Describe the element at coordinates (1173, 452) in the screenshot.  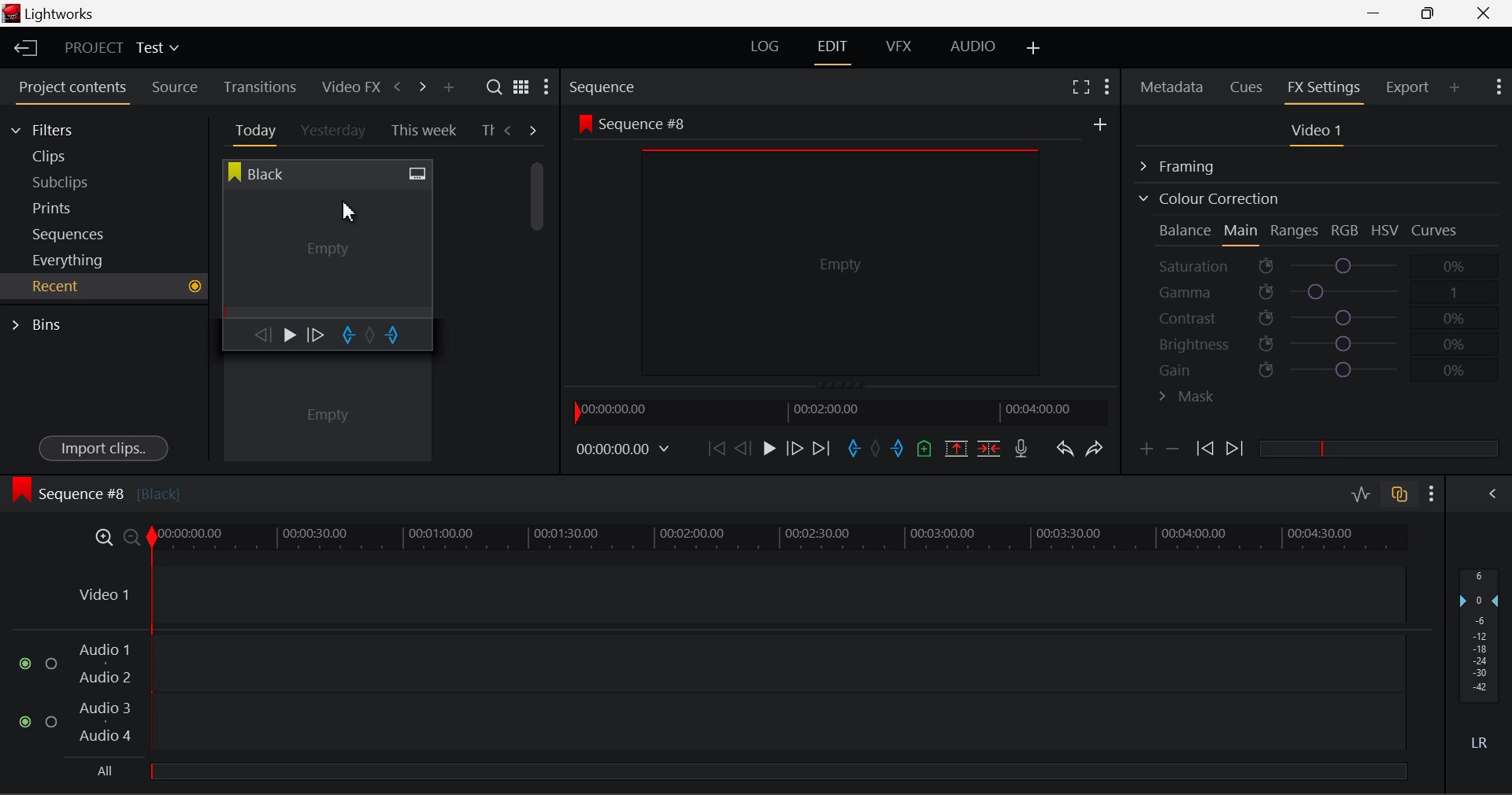
I see `Delete keyframe` at that location.